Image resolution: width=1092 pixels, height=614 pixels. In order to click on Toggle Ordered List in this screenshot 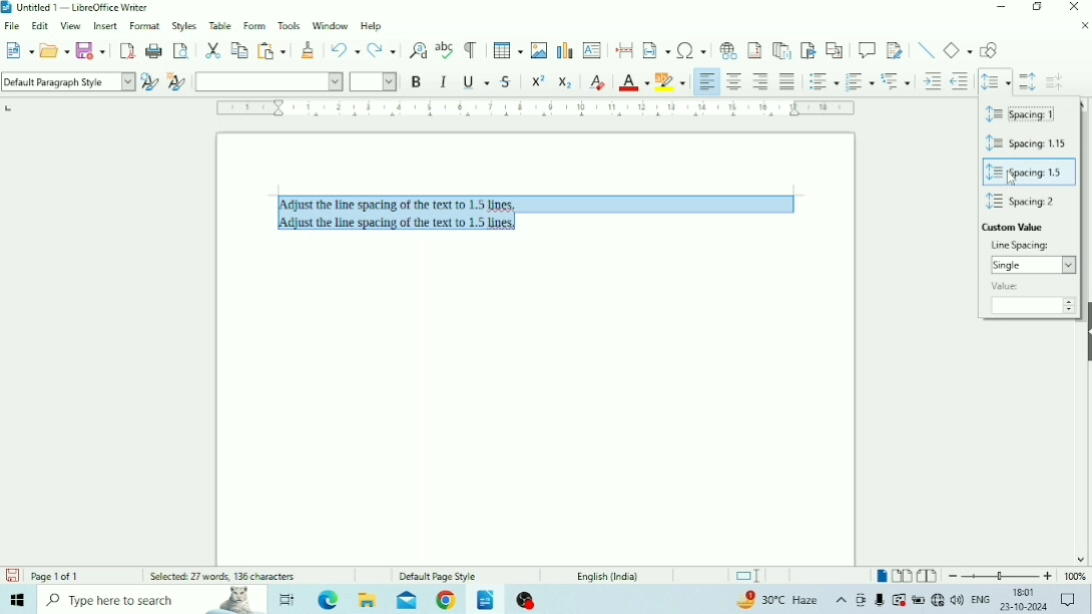, I will do `click(859, 80)`.